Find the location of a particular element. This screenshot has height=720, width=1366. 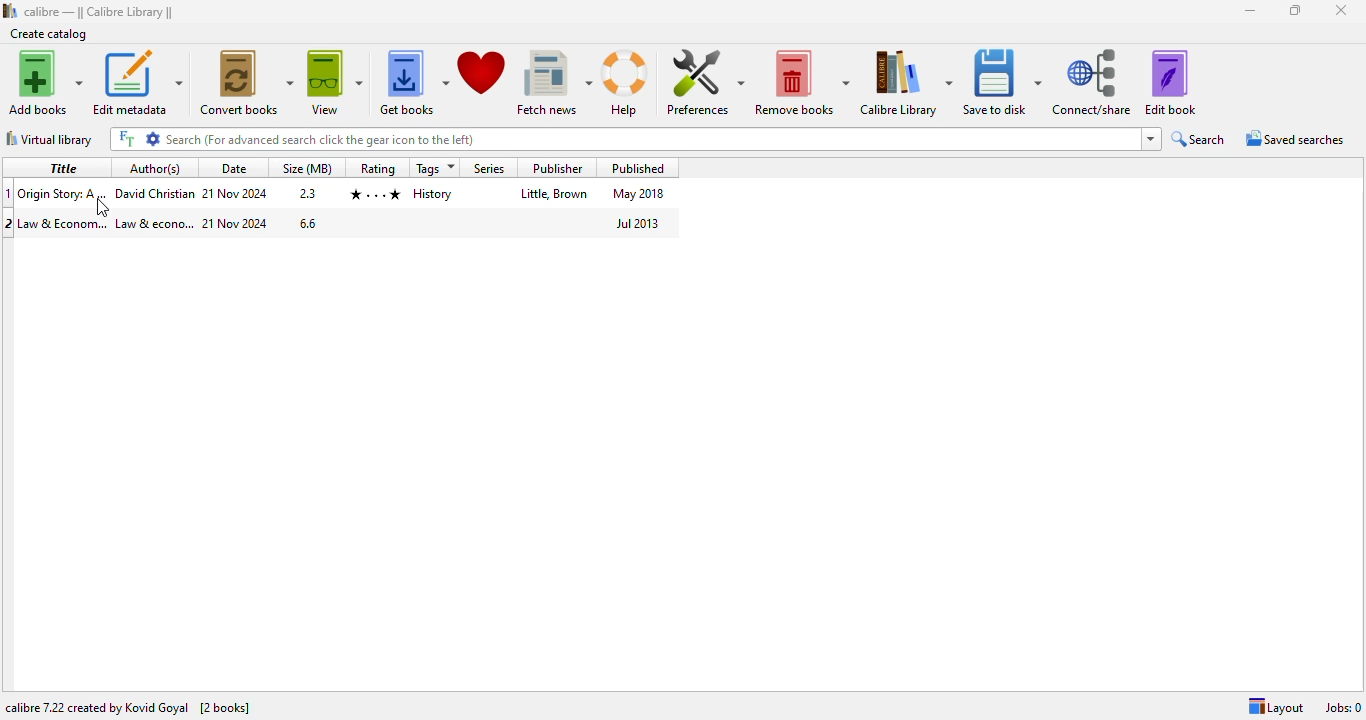

create catalog is located at coordinates (49, 34).